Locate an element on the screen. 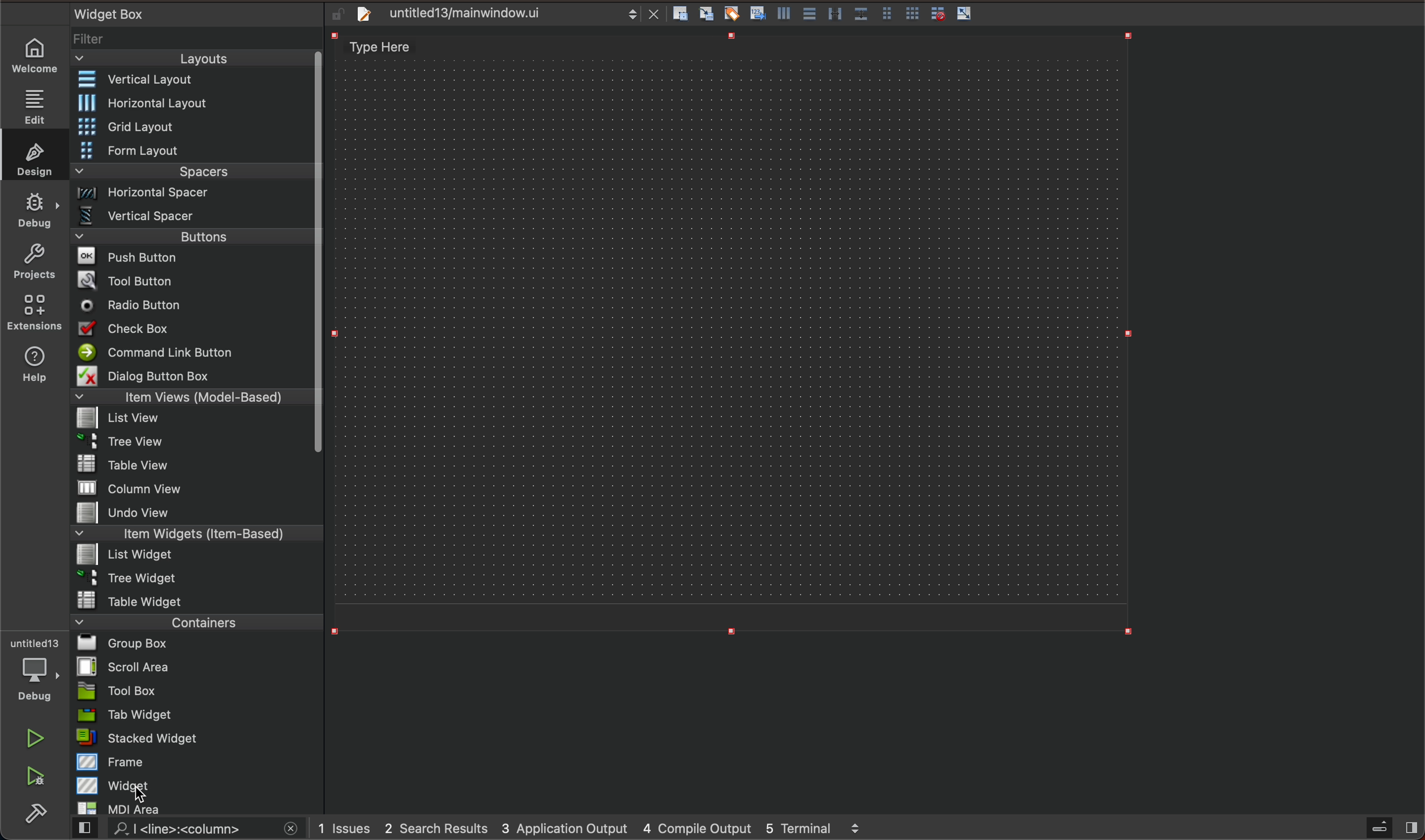 Image resolution: width=1425 pixels, height=840 pixels. help is located at coordinates (33, 368).